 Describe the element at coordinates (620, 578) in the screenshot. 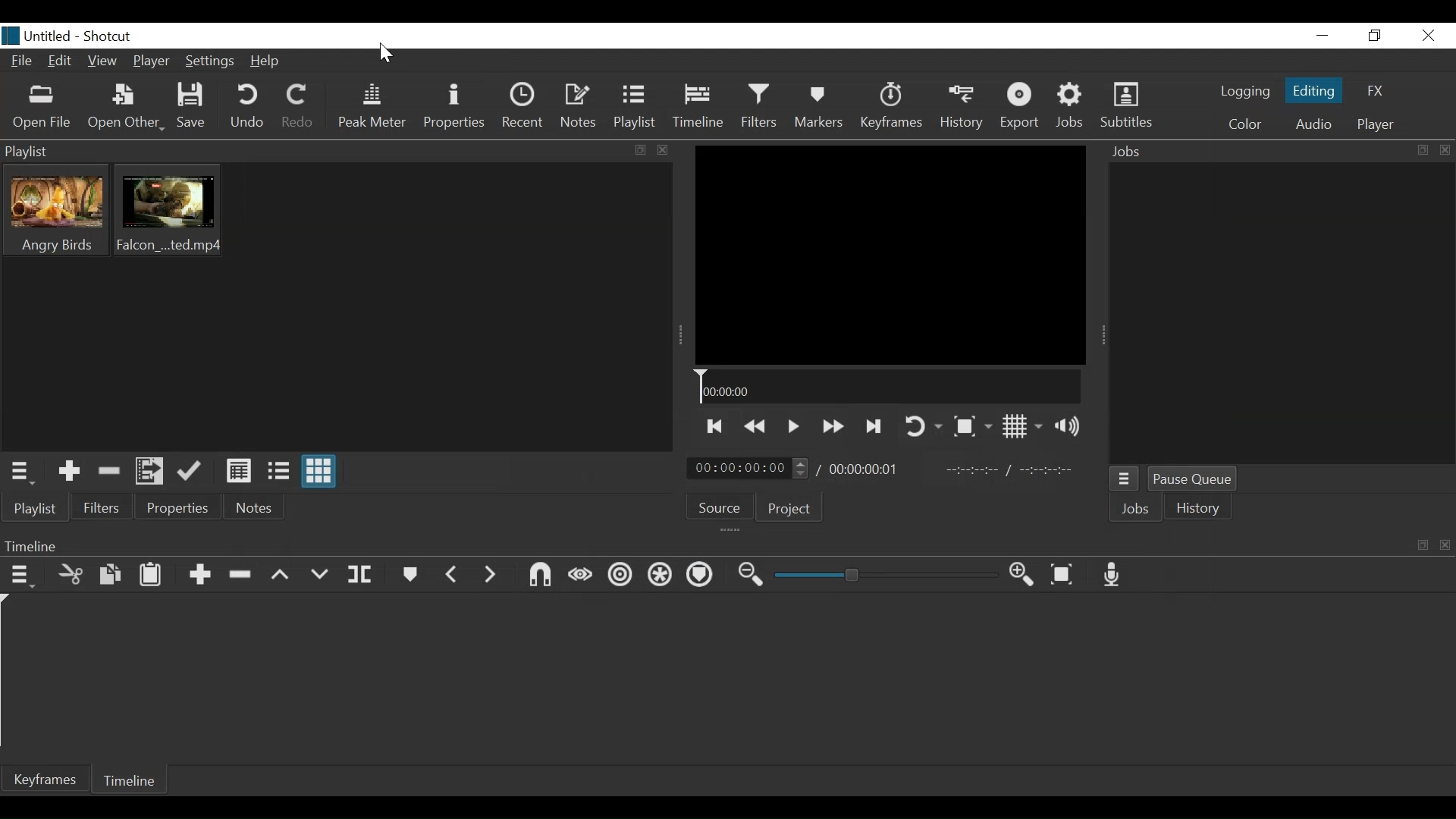

I see `Ripple` at that location.